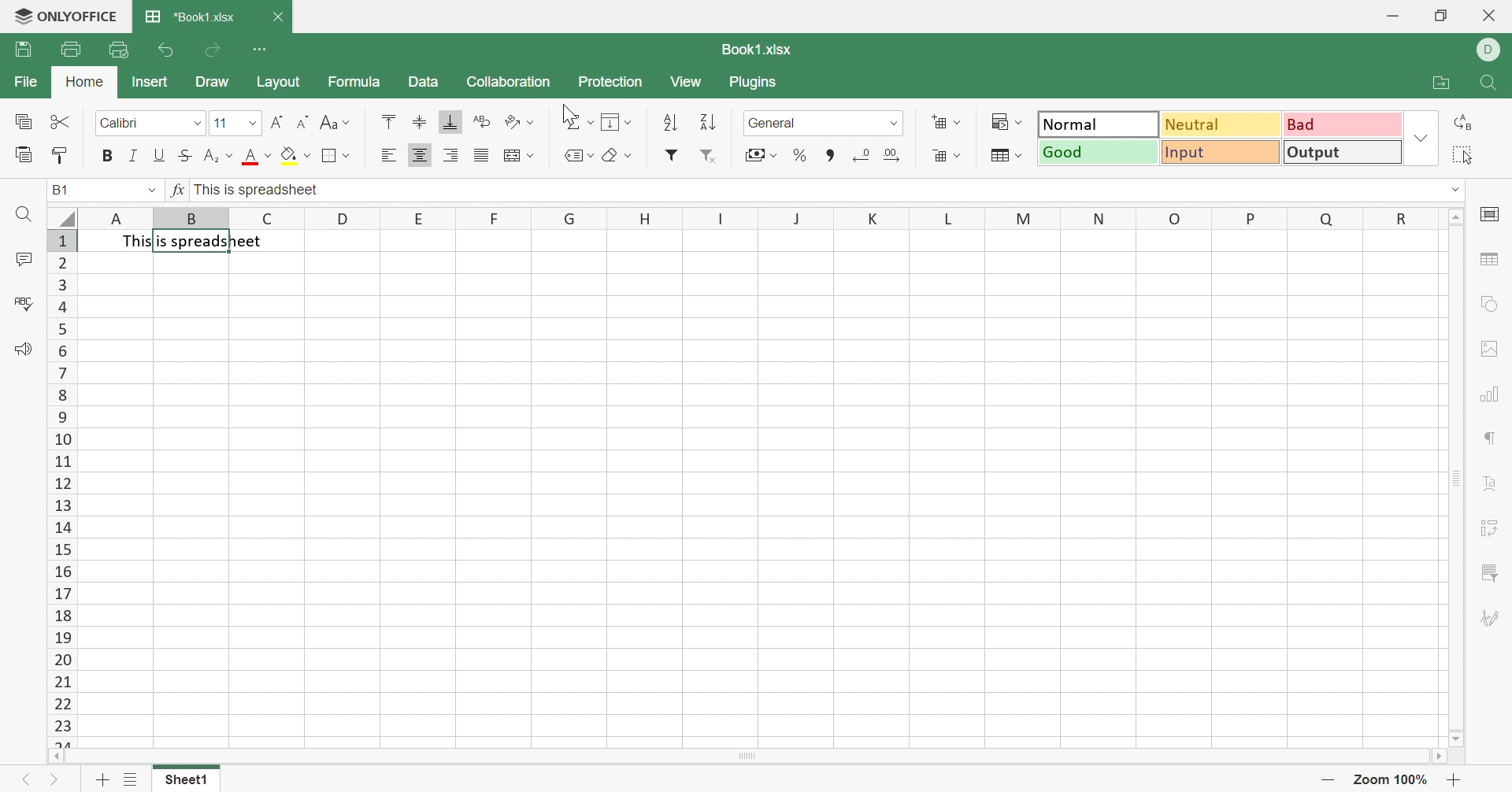 This screenshot has width=1512, height=792. What do you see at coordinates (187, 154) in the screenshot?
I see `Strikethrough` at bounding box center [187, 154].